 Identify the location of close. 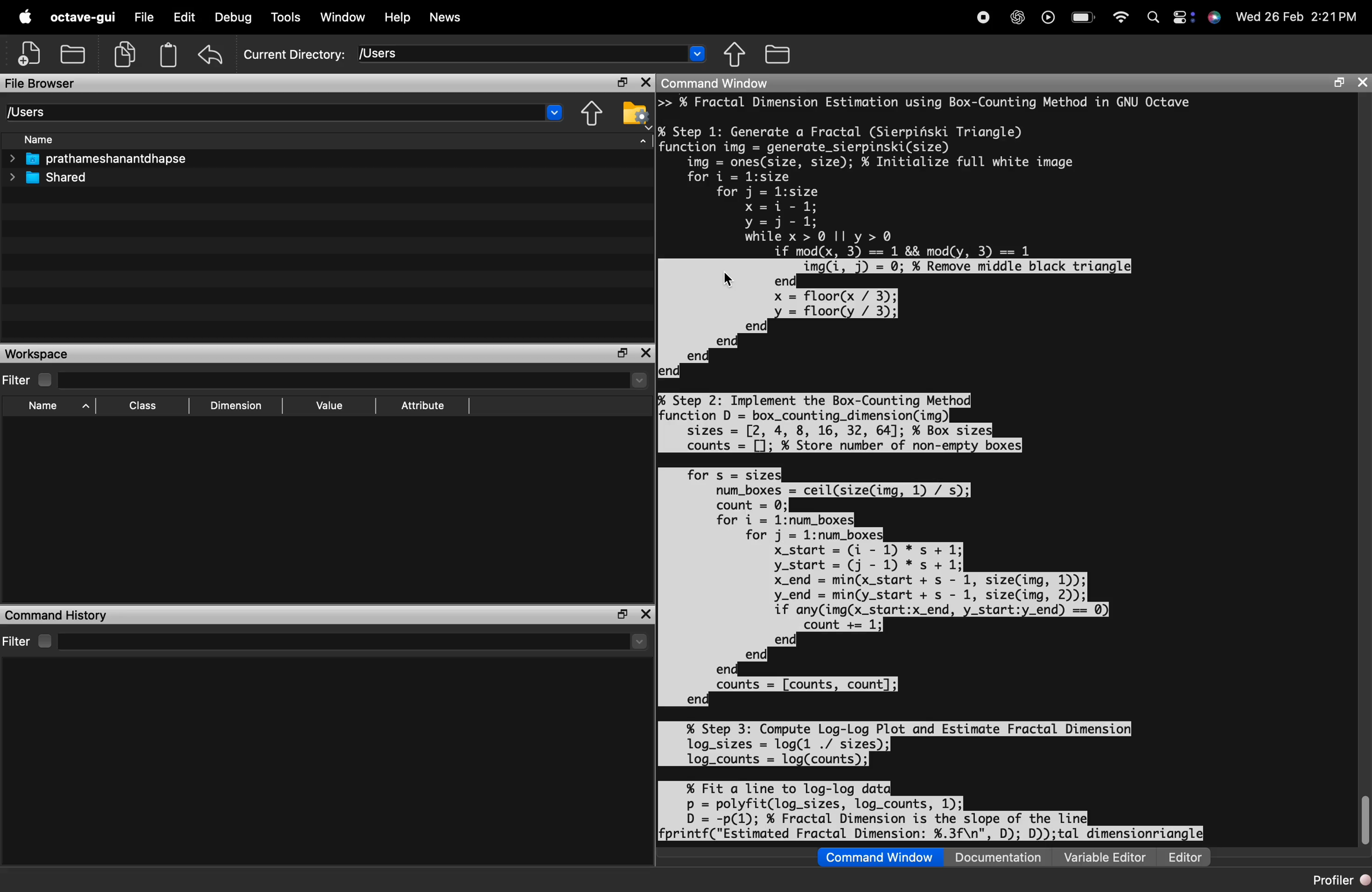
(1362, 83).